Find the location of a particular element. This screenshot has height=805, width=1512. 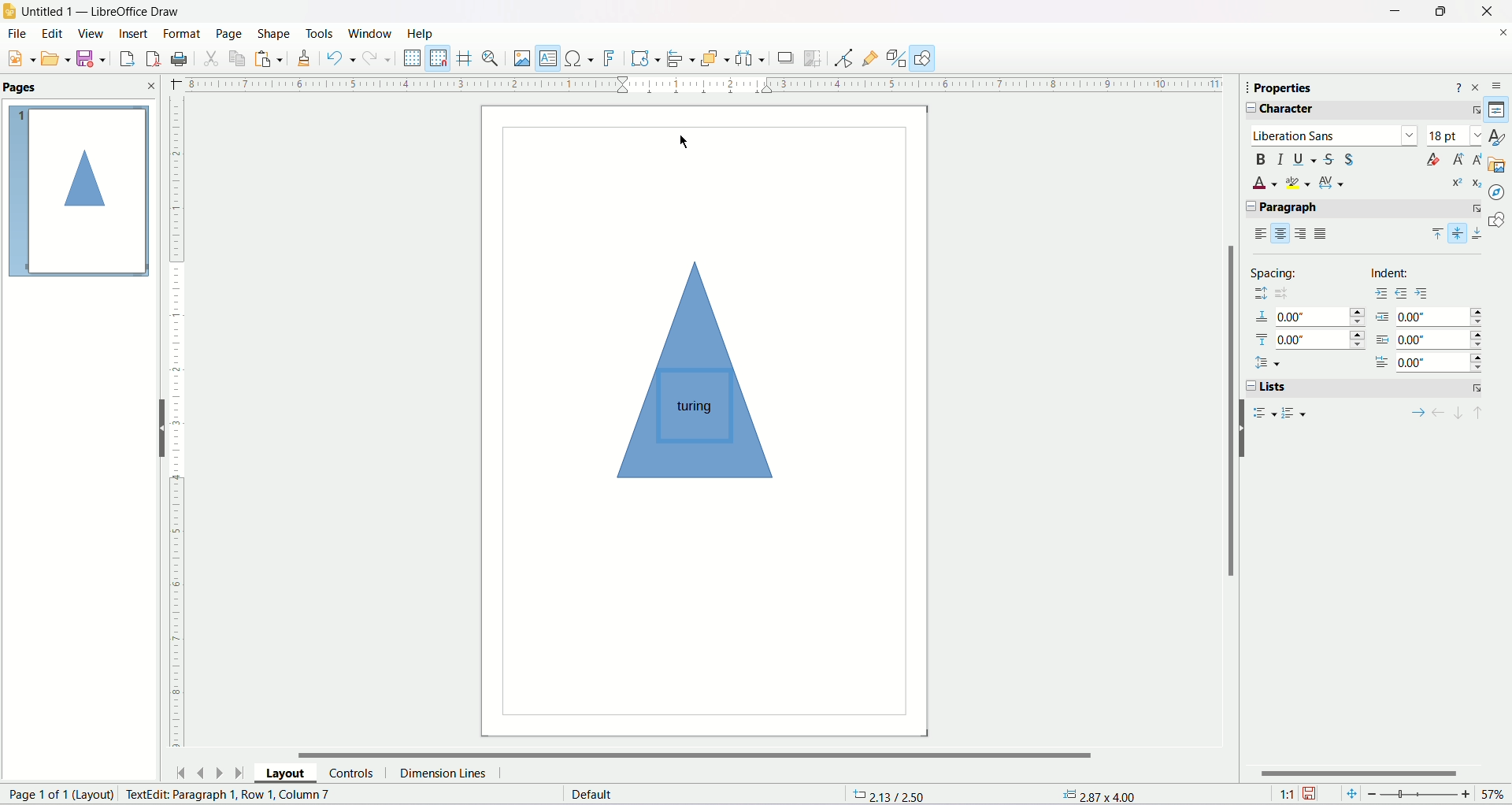

Maximize is located at coordinates (1439, 11).